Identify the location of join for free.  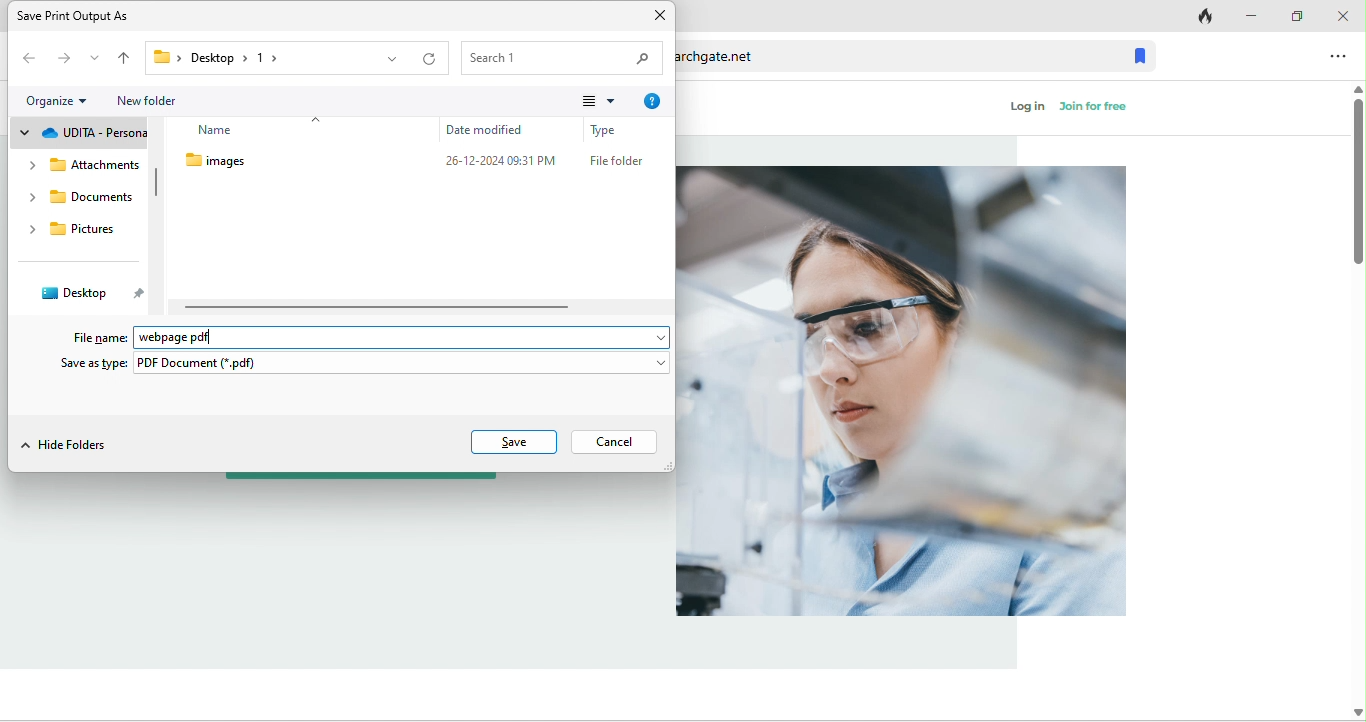
(1100, 110).